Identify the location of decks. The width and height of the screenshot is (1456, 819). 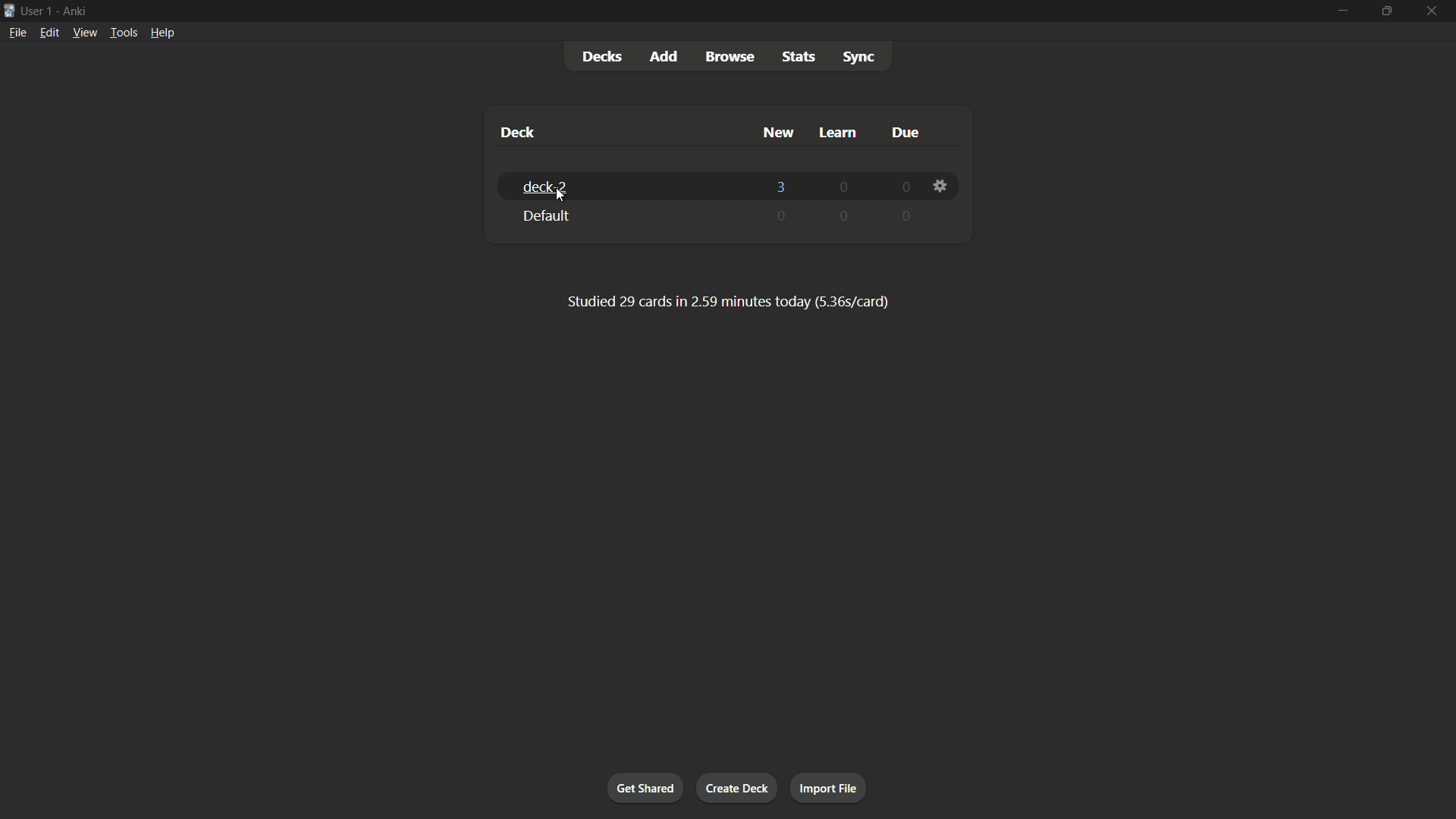
(601, 55).